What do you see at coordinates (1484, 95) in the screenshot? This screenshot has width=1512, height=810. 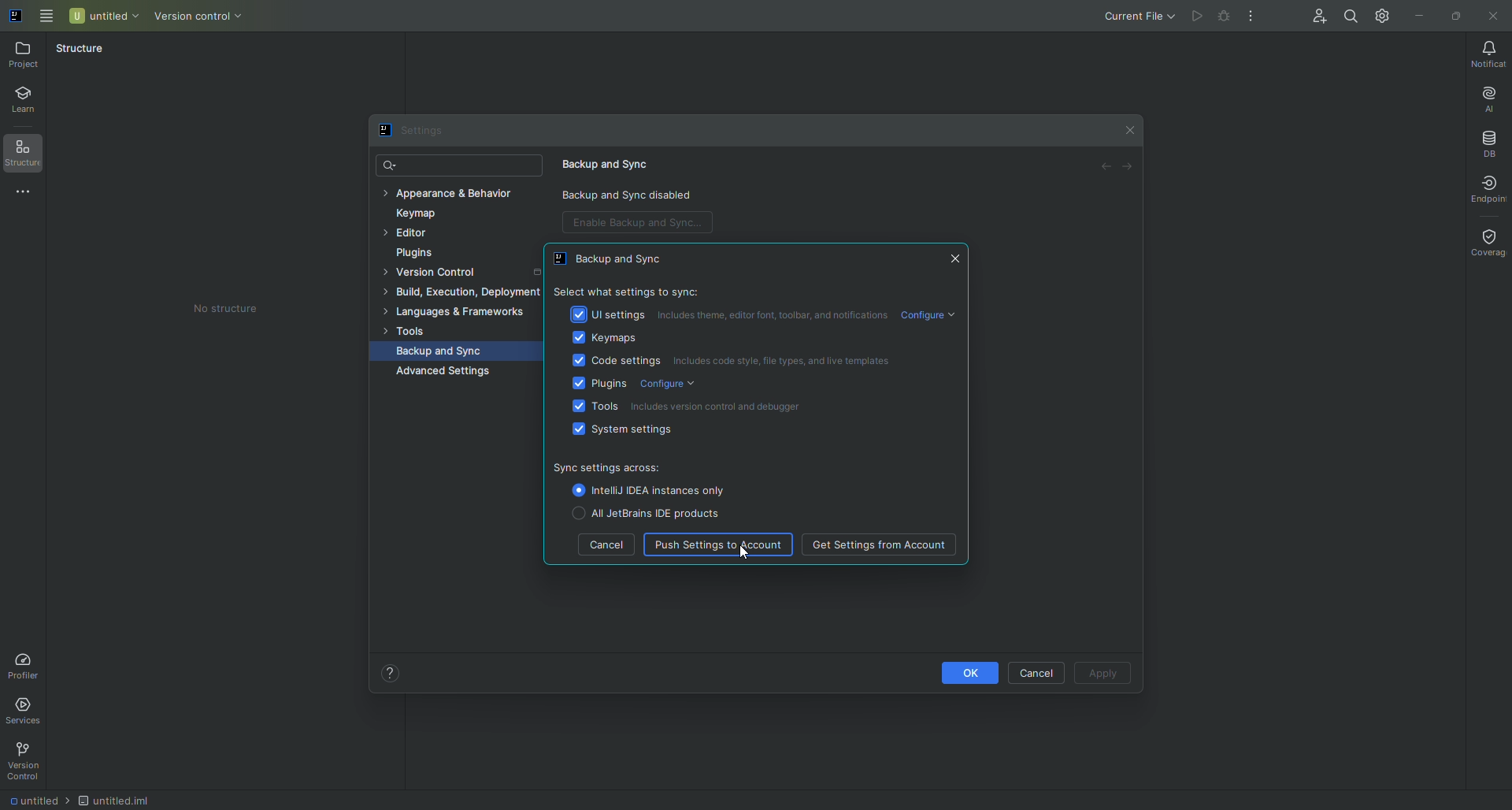 I see `AI Assistant` at bounding box center [1484, 95].